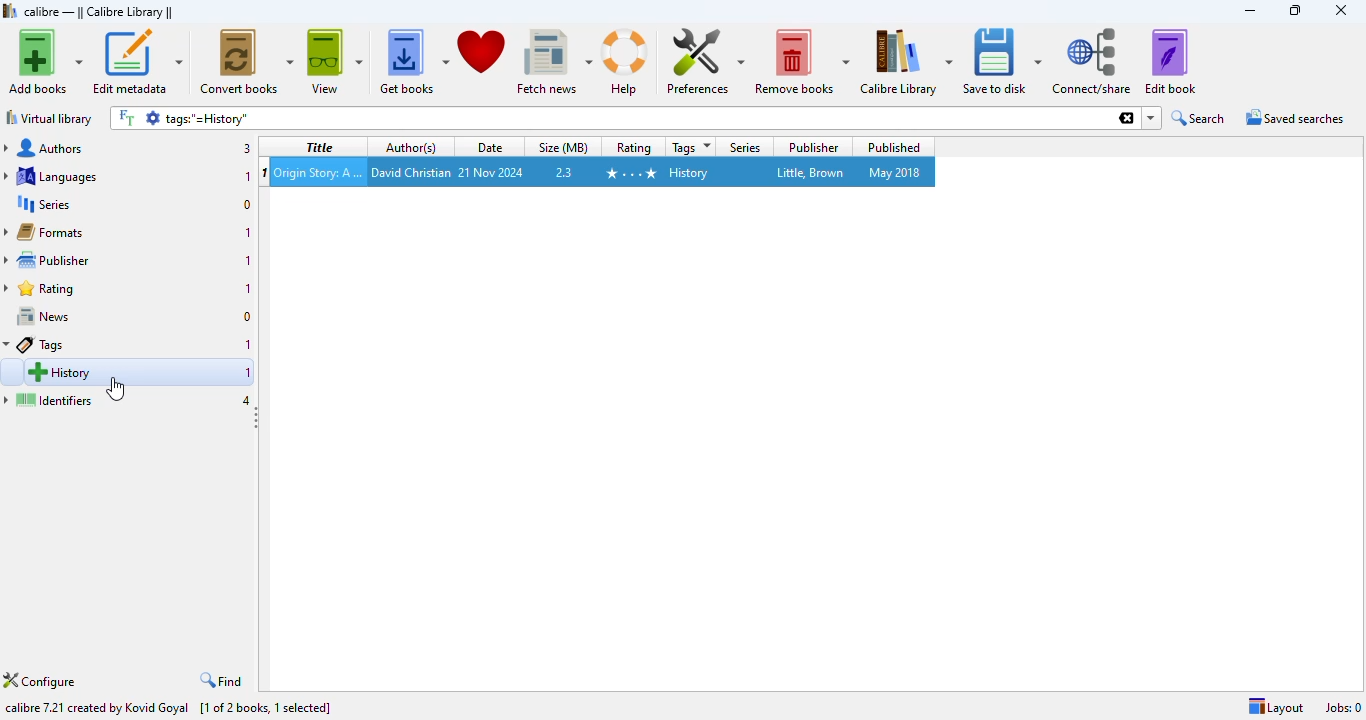 This screenshot has height=720, width=1366. I want to click on logo, so click(9, 11).